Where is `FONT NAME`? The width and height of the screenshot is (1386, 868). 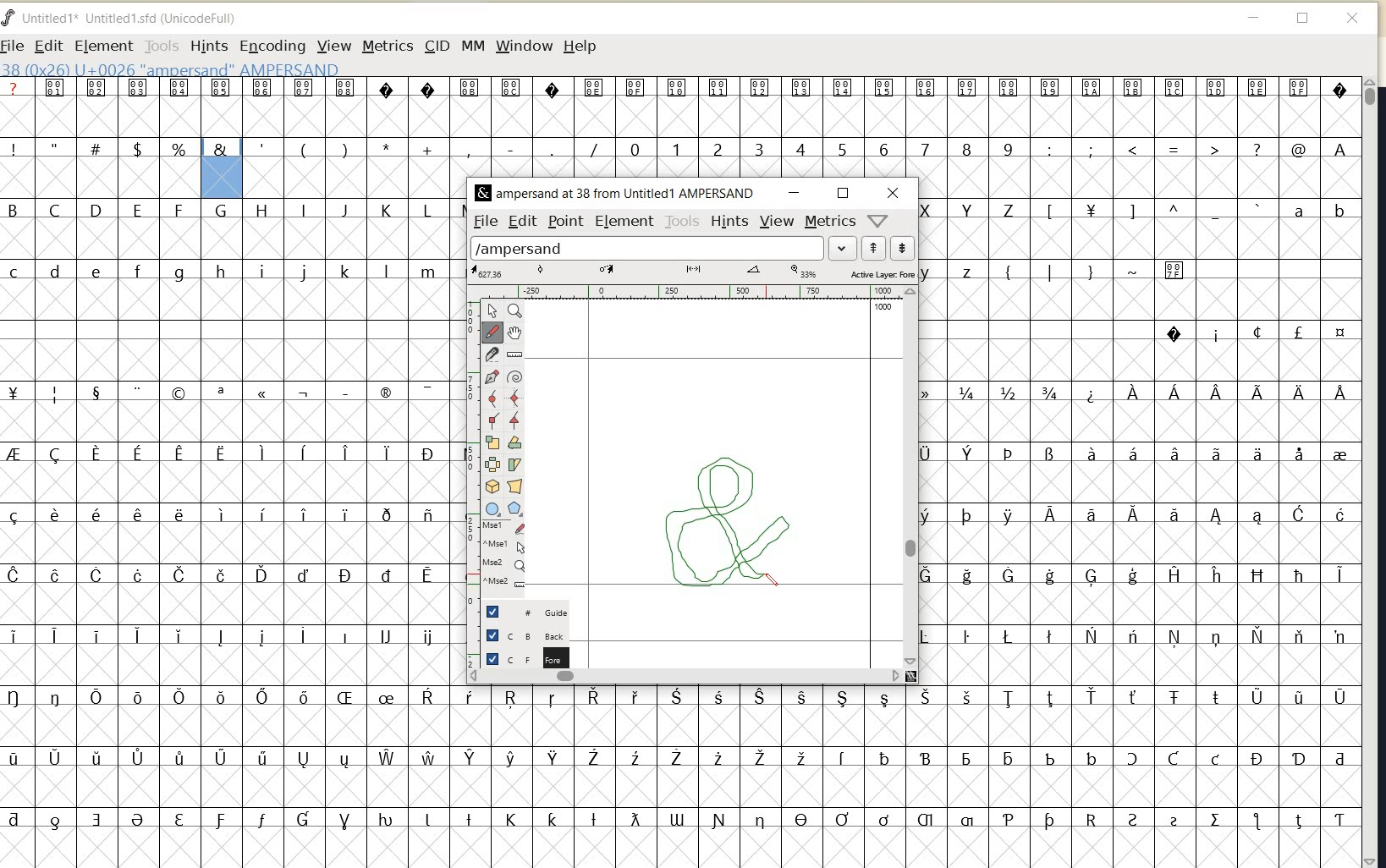 FONT NAME is located at coordinates (128, 18).